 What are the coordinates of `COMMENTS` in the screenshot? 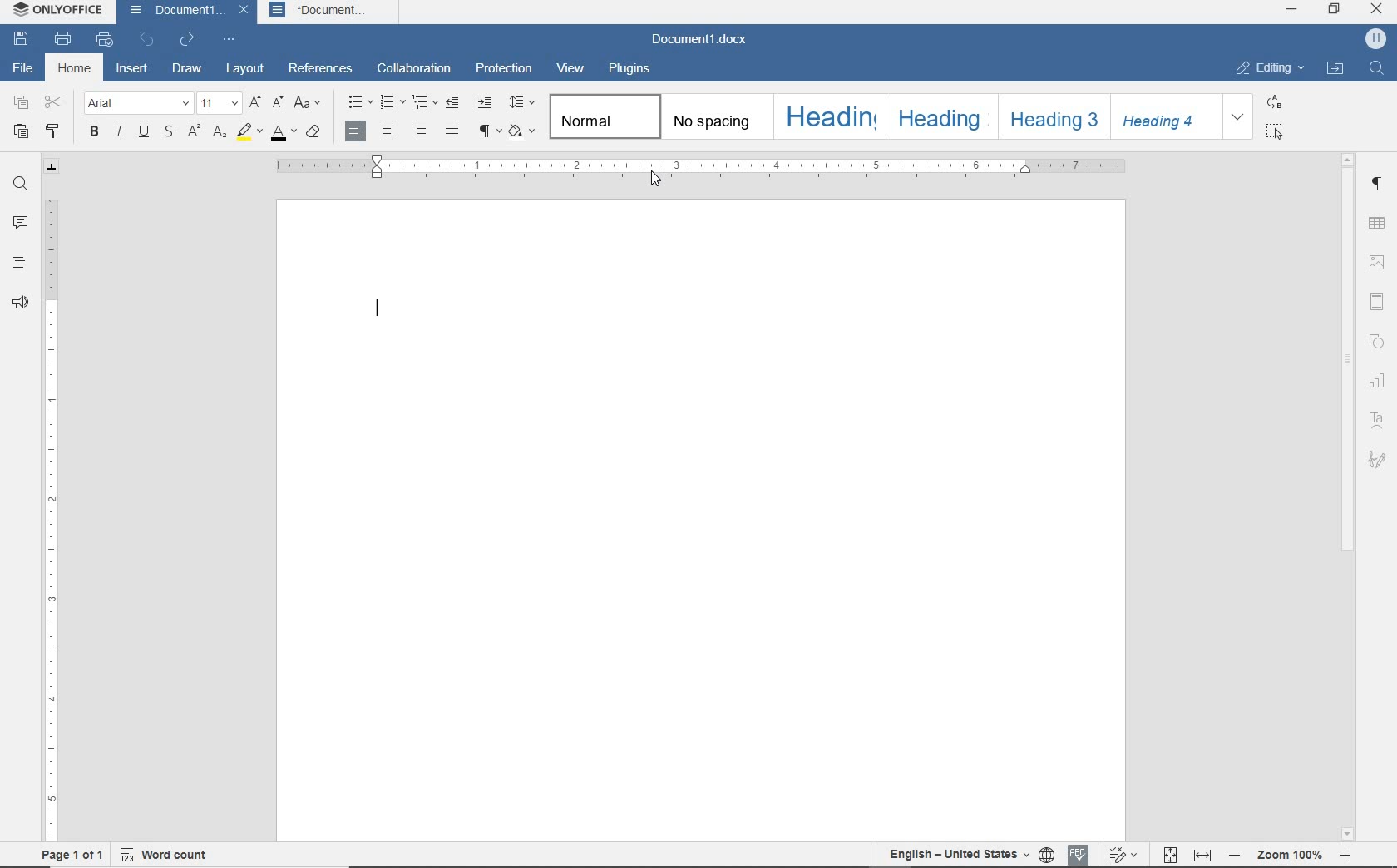 It's located at (16, 223).